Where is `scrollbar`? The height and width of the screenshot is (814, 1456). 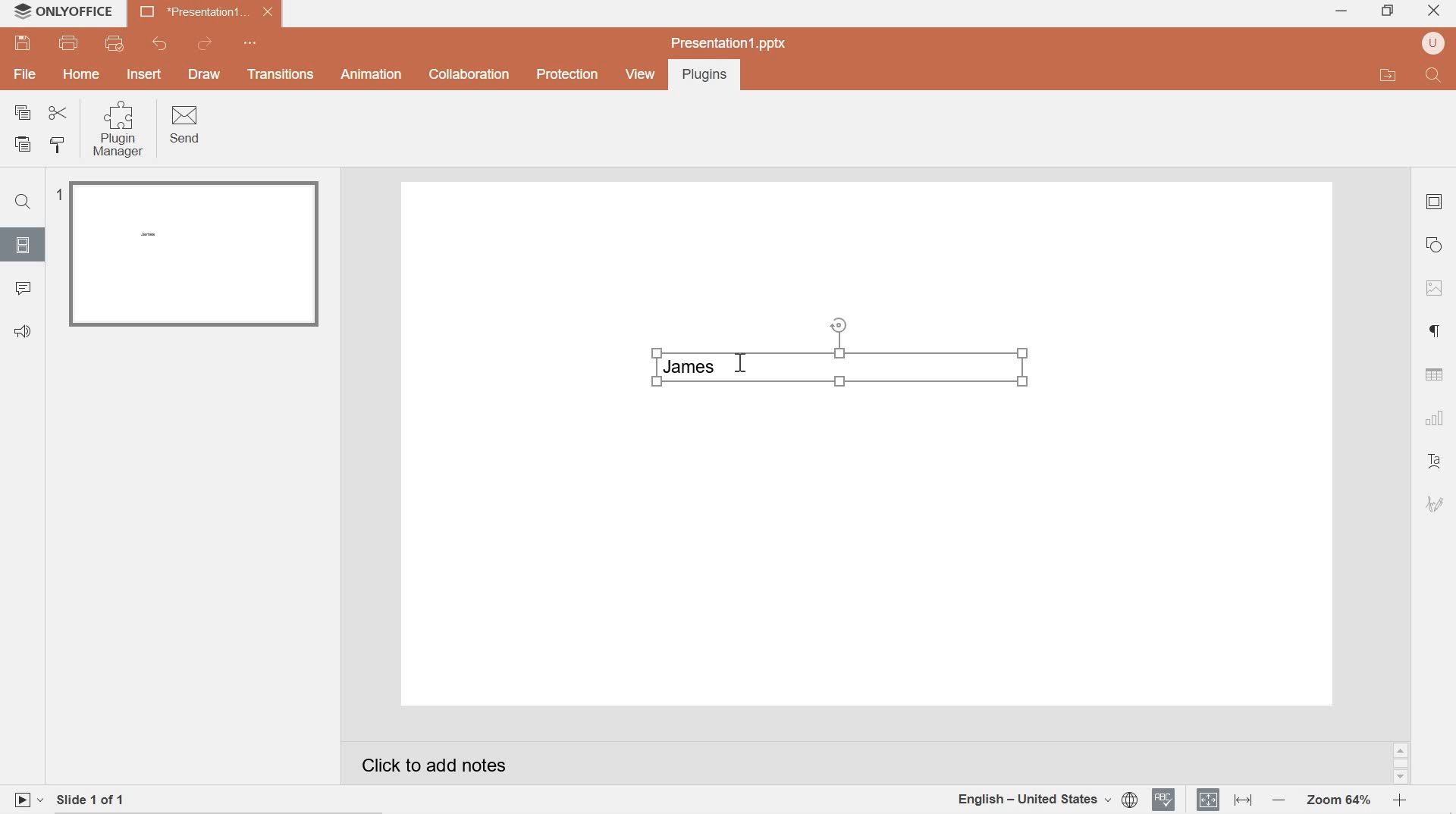 scrollbar is located at coordinates (1400, 764).